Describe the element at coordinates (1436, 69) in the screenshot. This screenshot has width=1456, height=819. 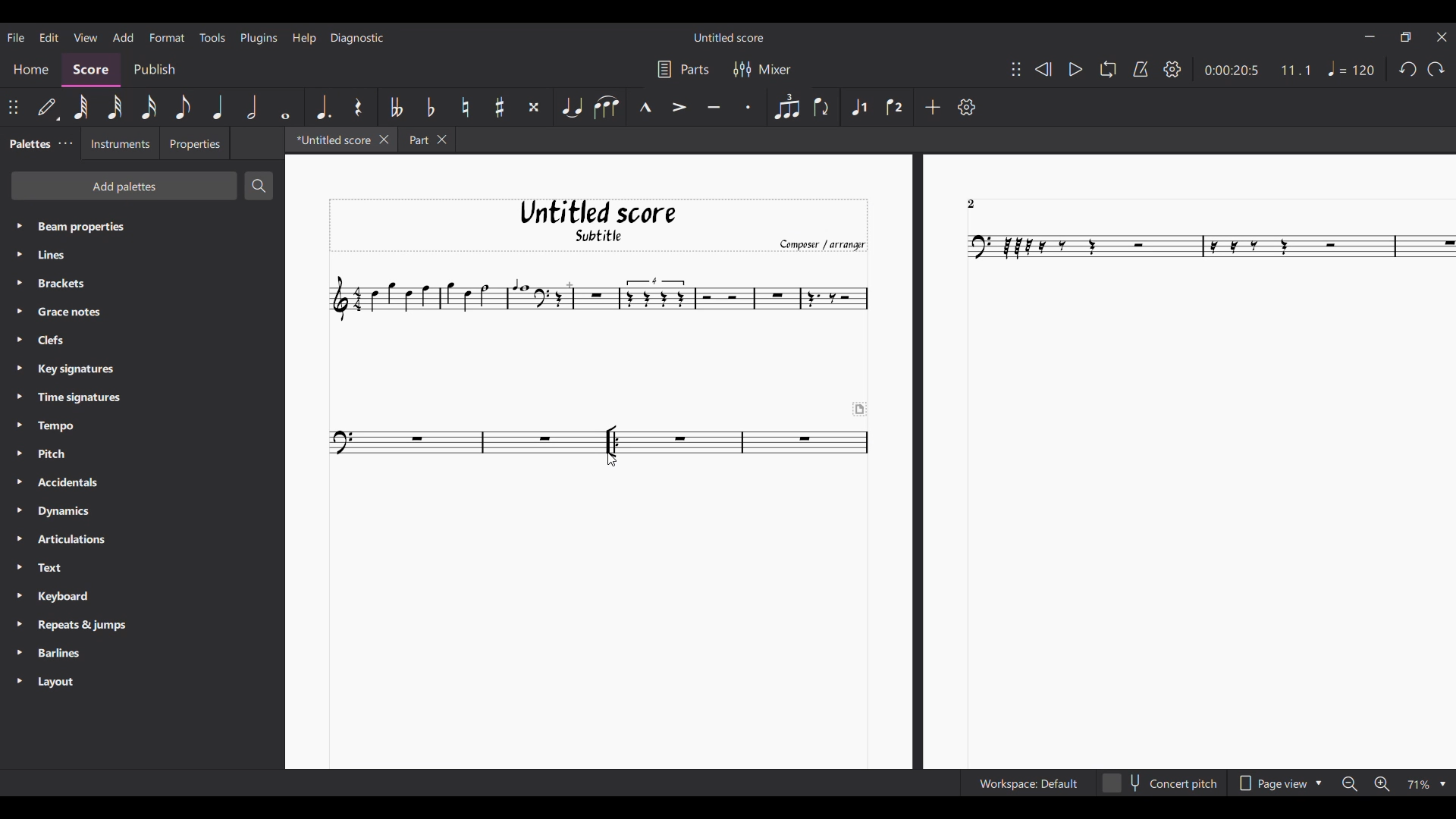
I see `Redo` at that location.